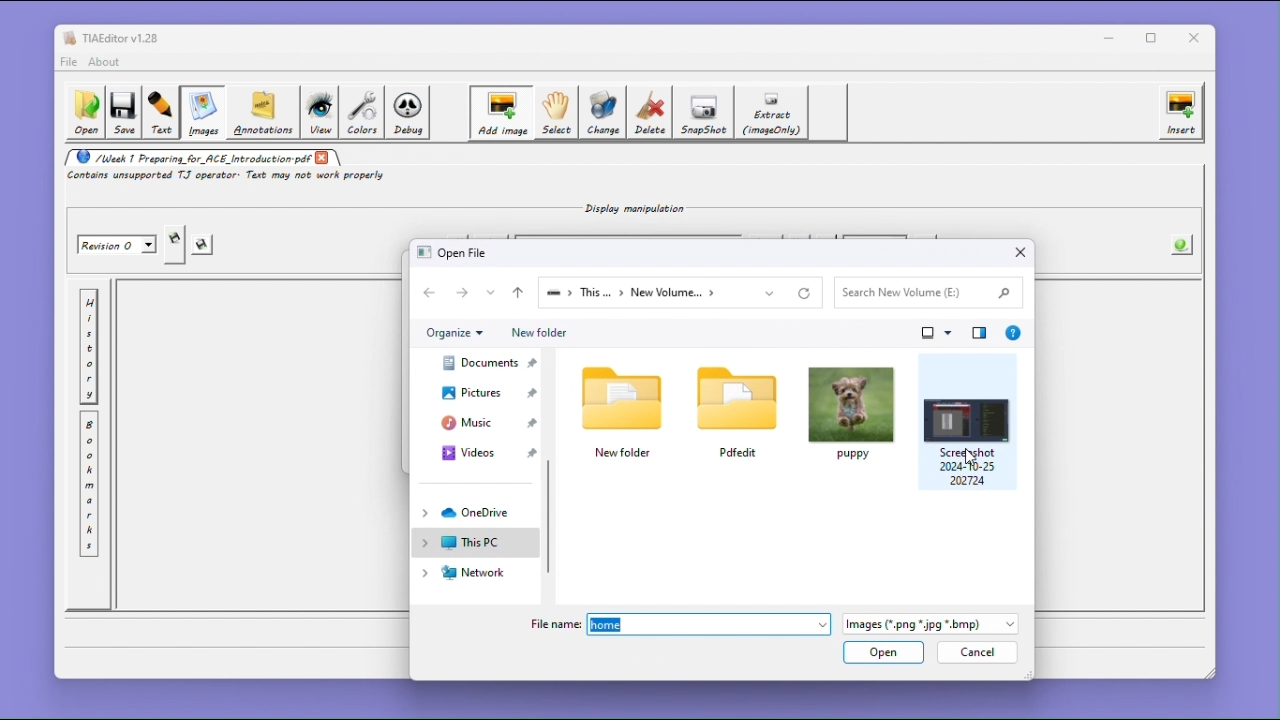 The image size is (1280, 720). What do you see at coordinates (1014, 332) in the screenshot?
I see `get help` at bounding box center [1014, 332].